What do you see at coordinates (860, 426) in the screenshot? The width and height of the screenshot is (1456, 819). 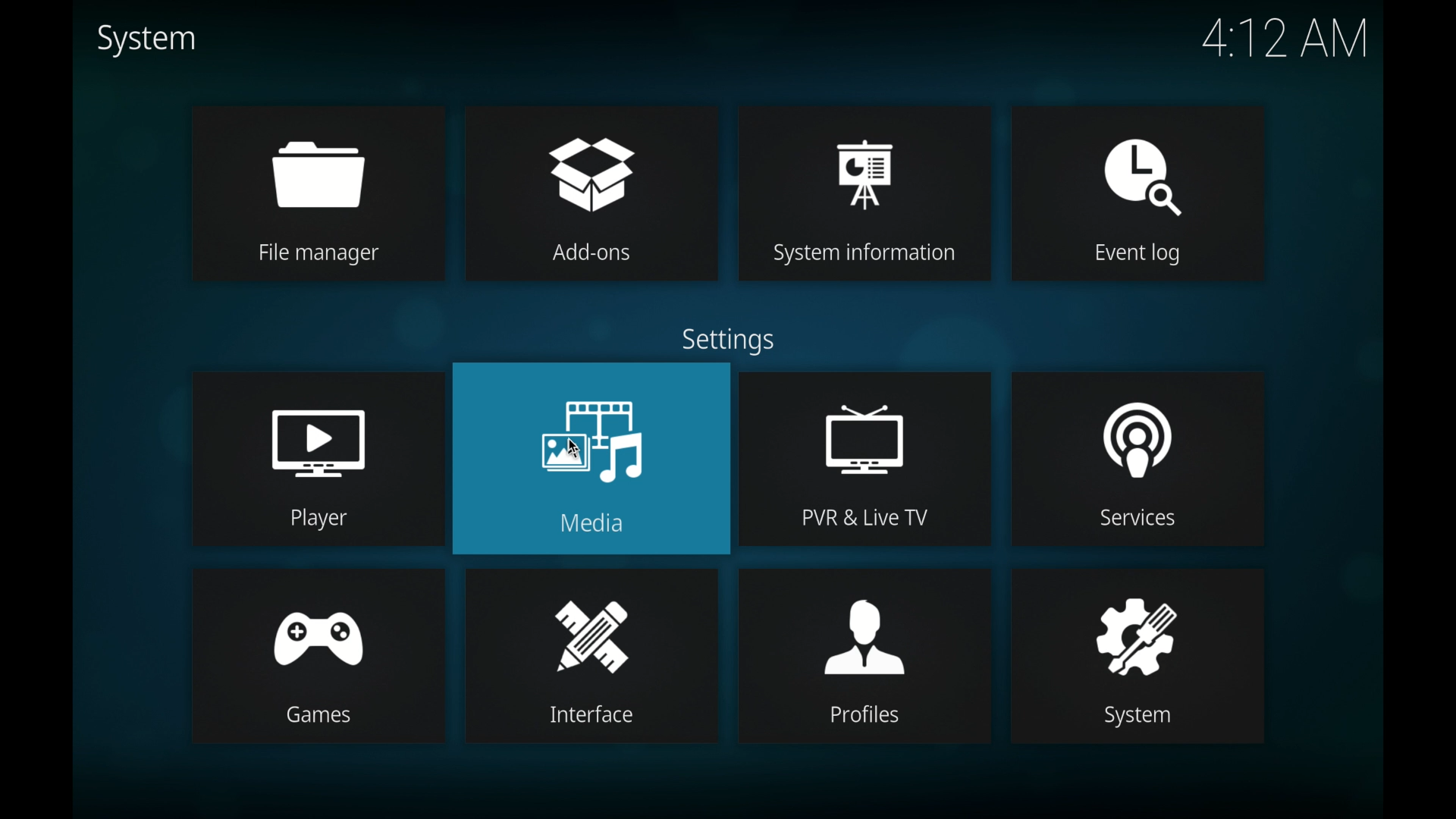 I see `pvr and live tv` at bounding box center [860, 426].